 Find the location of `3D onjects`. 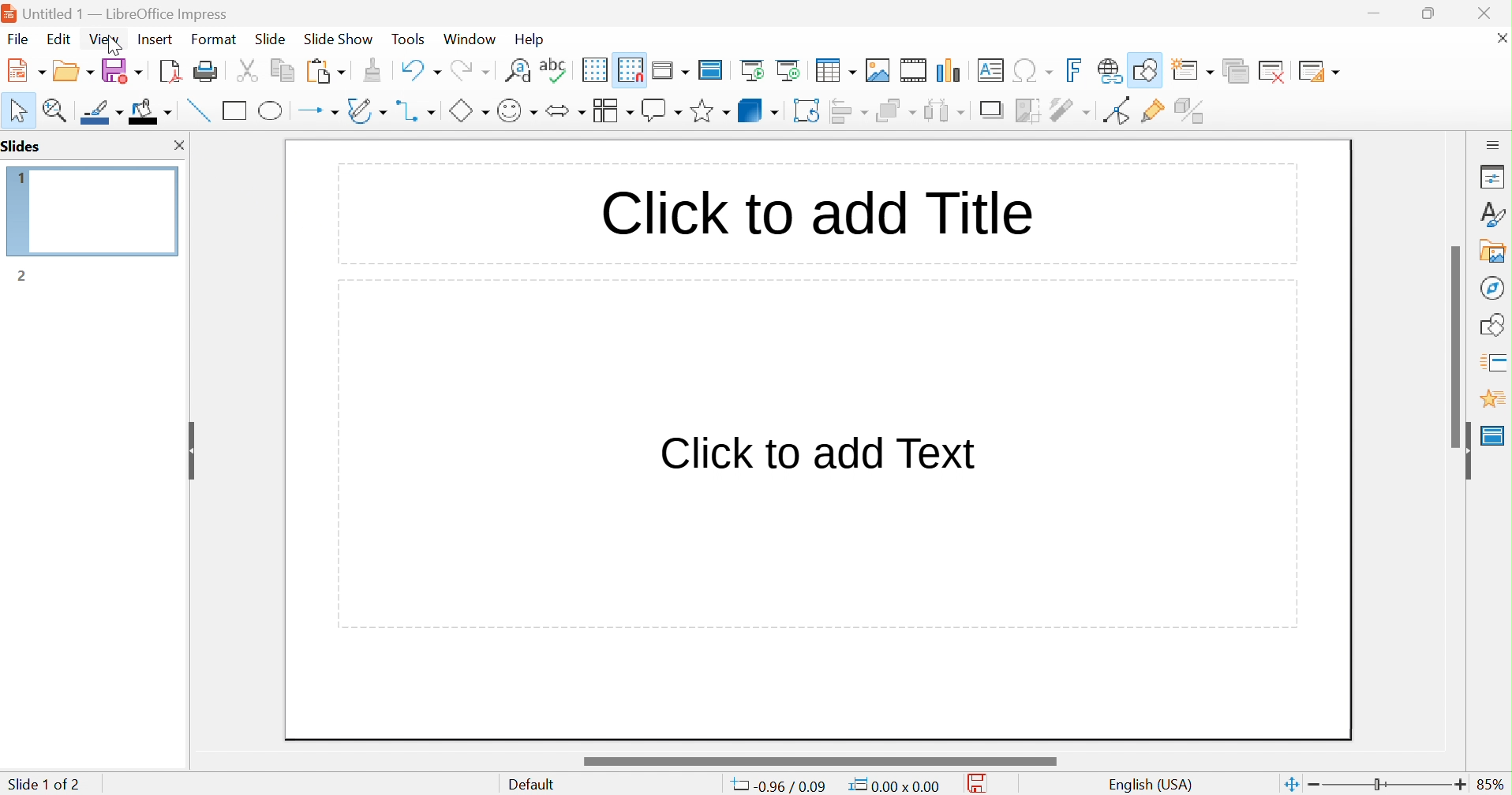

3D onjects is located at coordinates (758, 110).